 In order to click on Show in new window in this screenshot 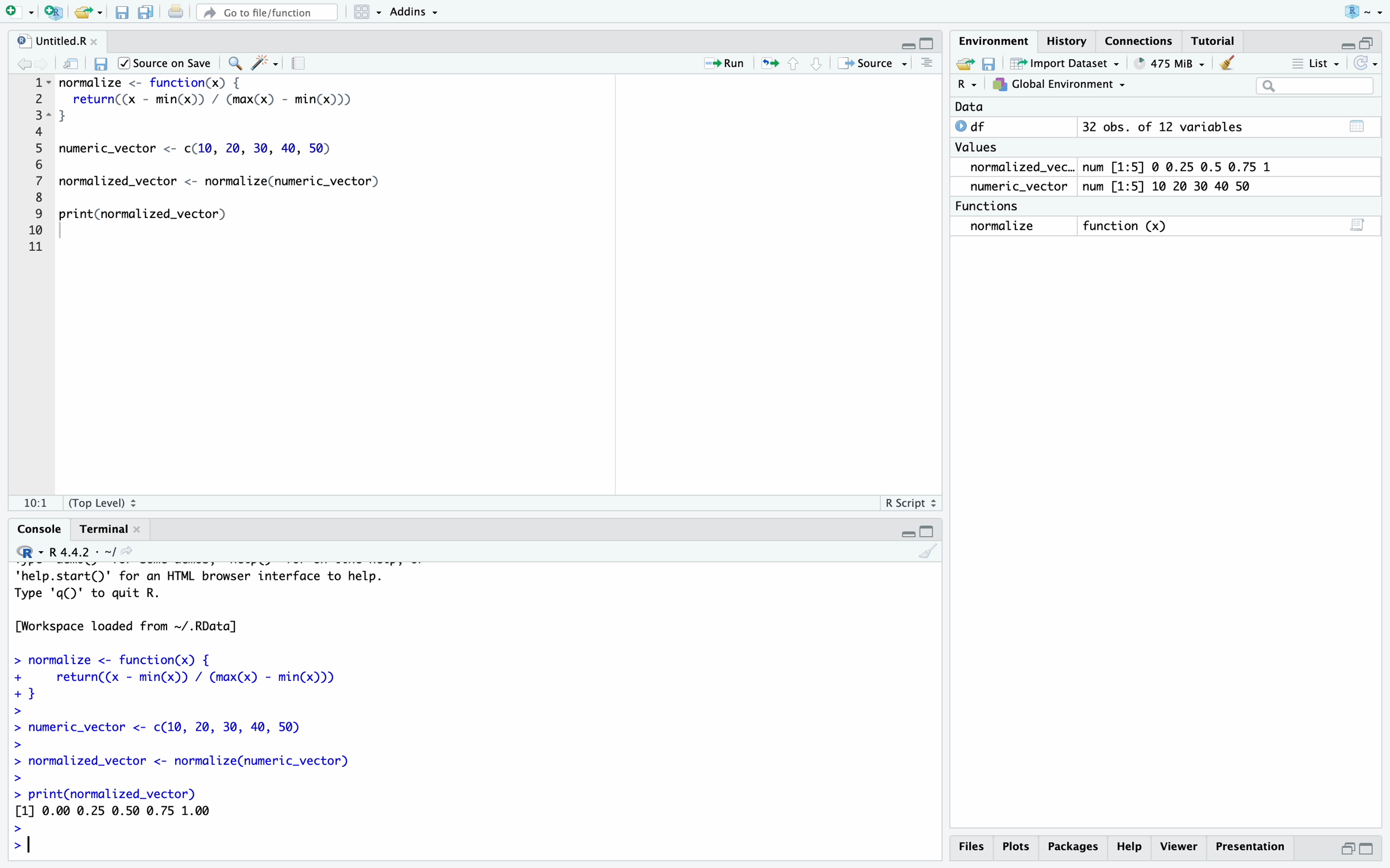, I will do `click(71, 63)`.